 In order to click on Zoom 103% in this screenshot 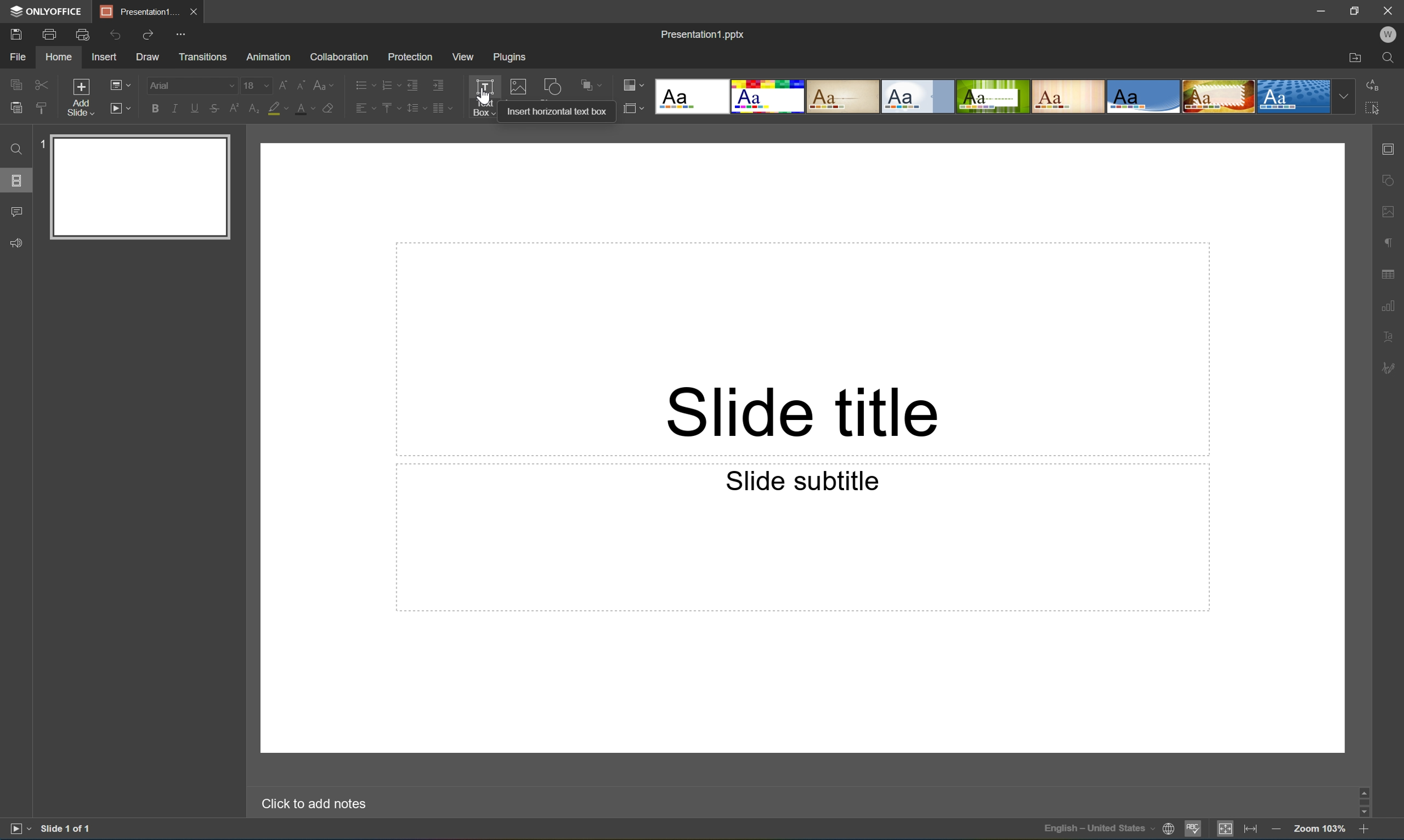, I will do `click(1321, 830)`.